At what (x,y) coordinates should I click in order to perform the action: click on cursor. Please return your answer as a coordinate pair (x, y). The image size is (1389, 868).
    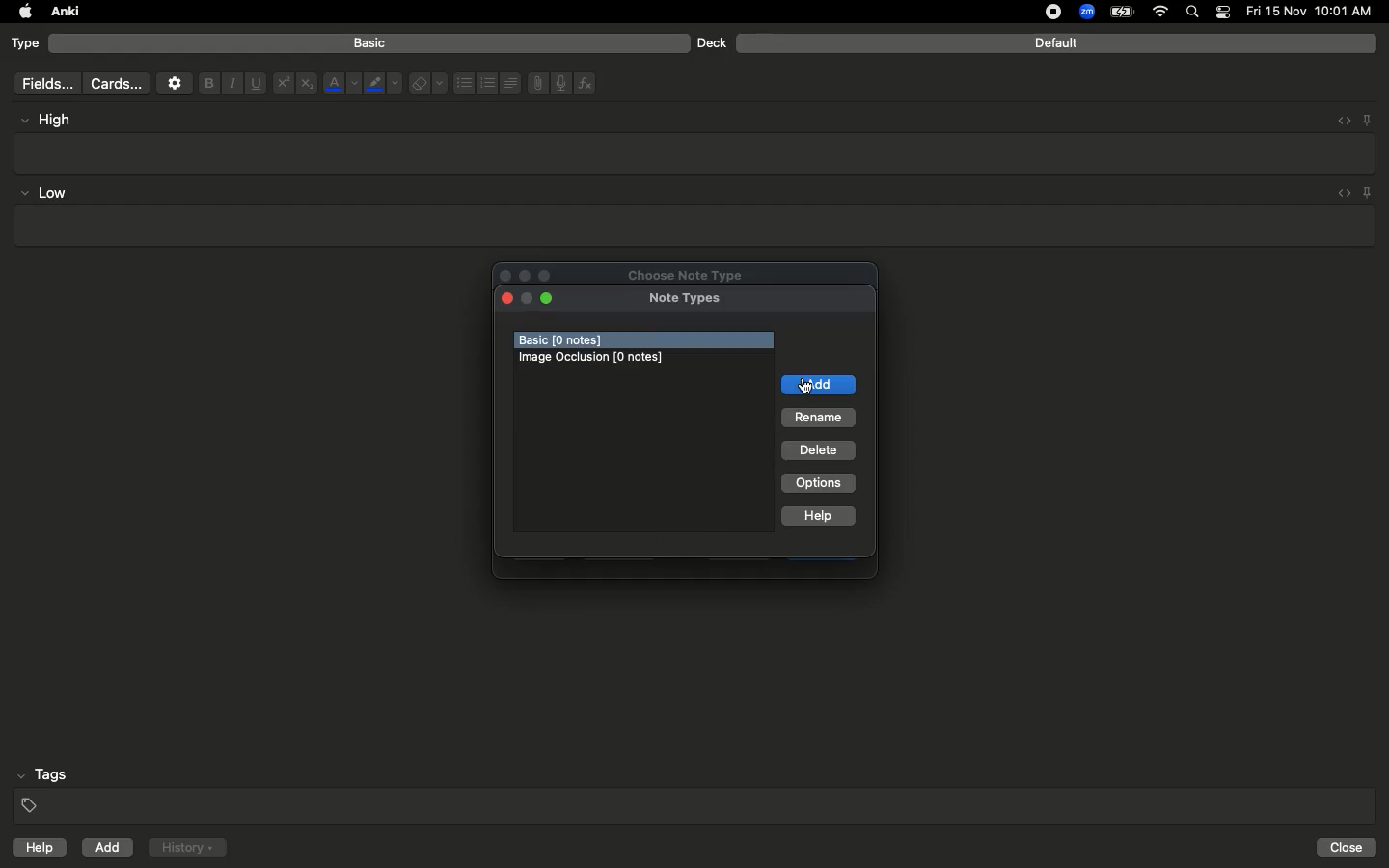
    Looking at the image, I should click on (804, 387).